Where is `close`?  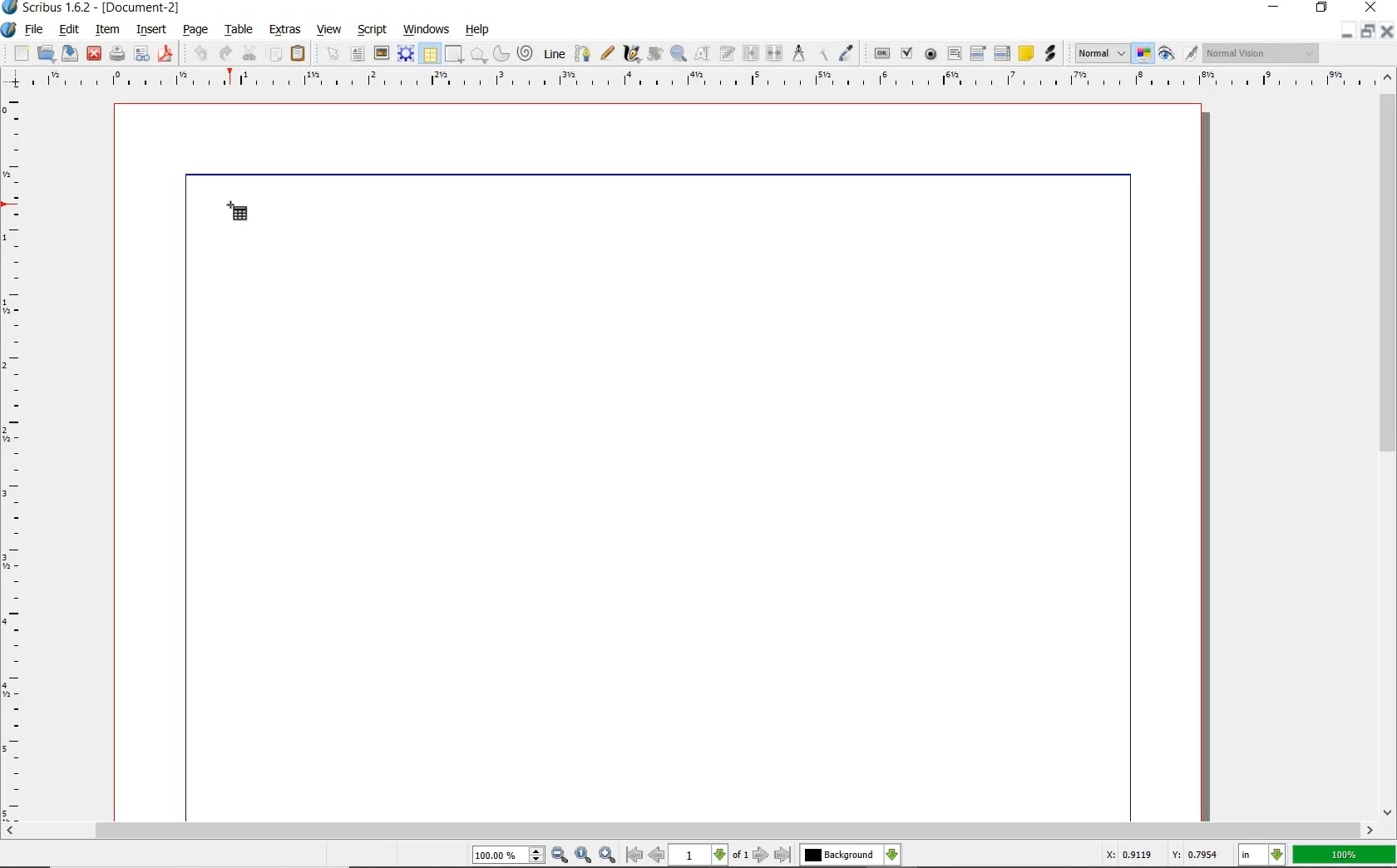 close is located at coordinates (93, 54).